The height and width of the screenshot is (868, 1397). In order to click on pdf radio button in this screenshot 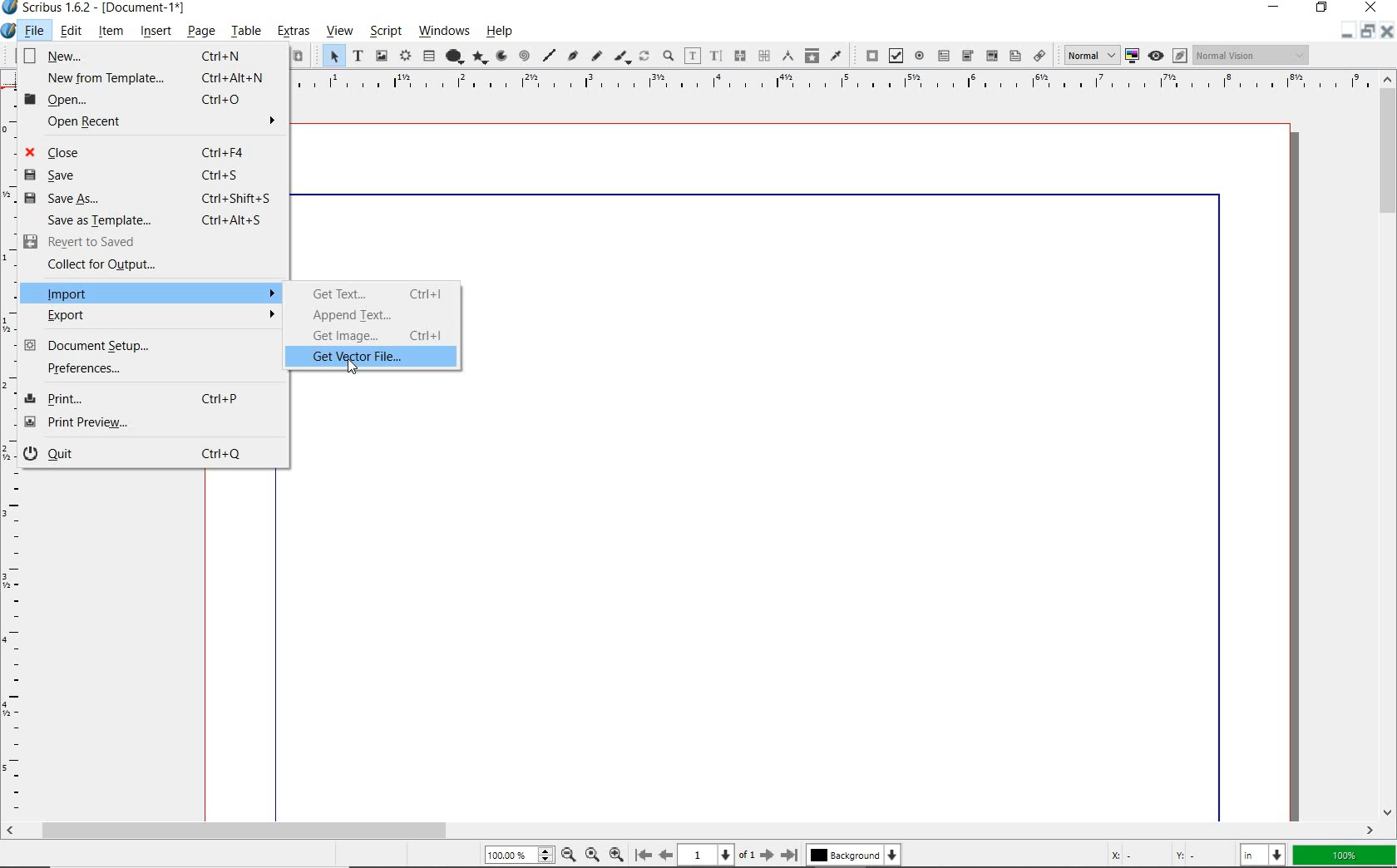, I will do `click(920, 55)`.